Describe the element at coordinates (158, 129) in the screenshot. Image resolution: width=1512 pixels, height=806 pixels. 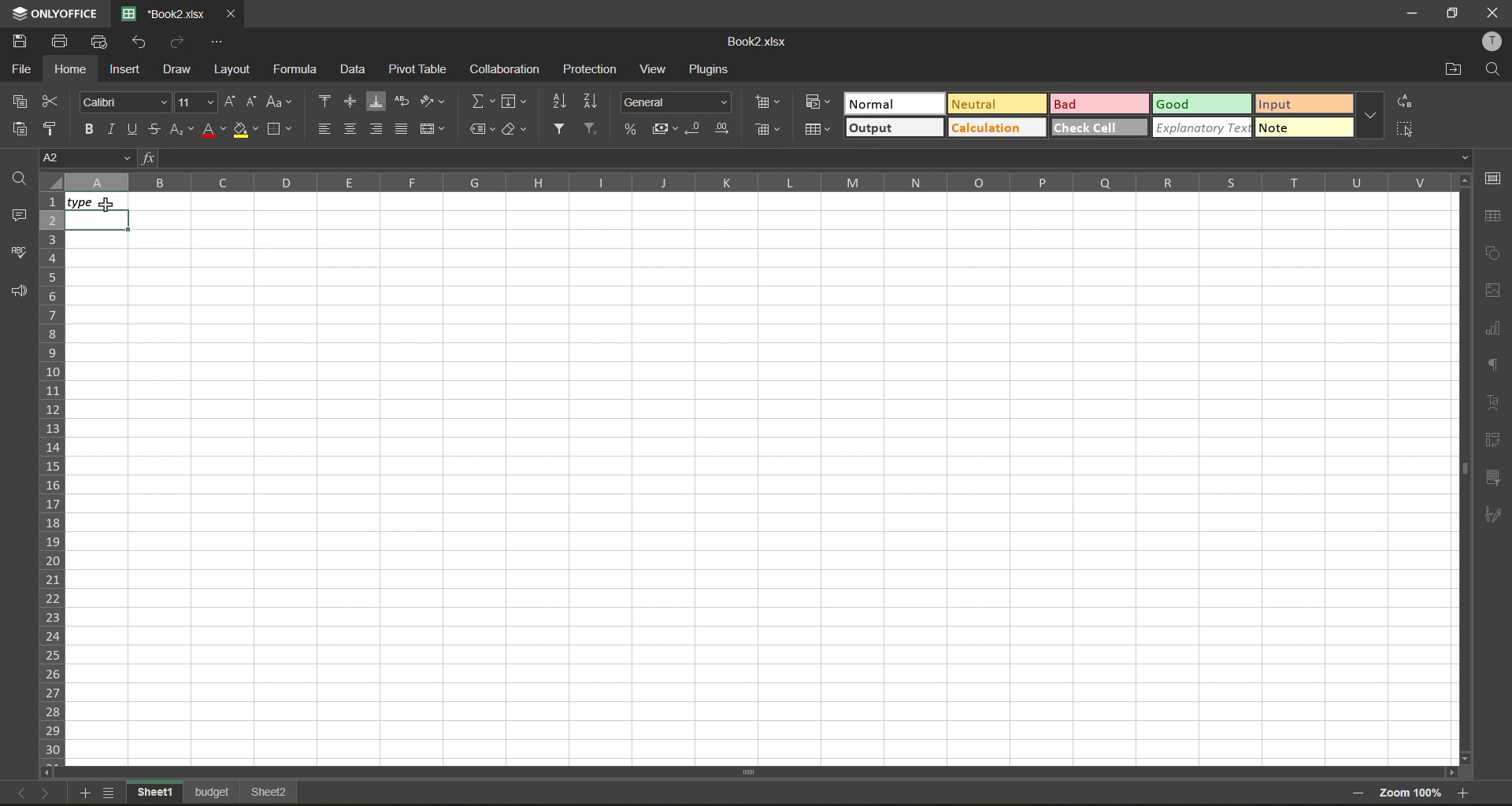
I see `strikethrough` at that location.